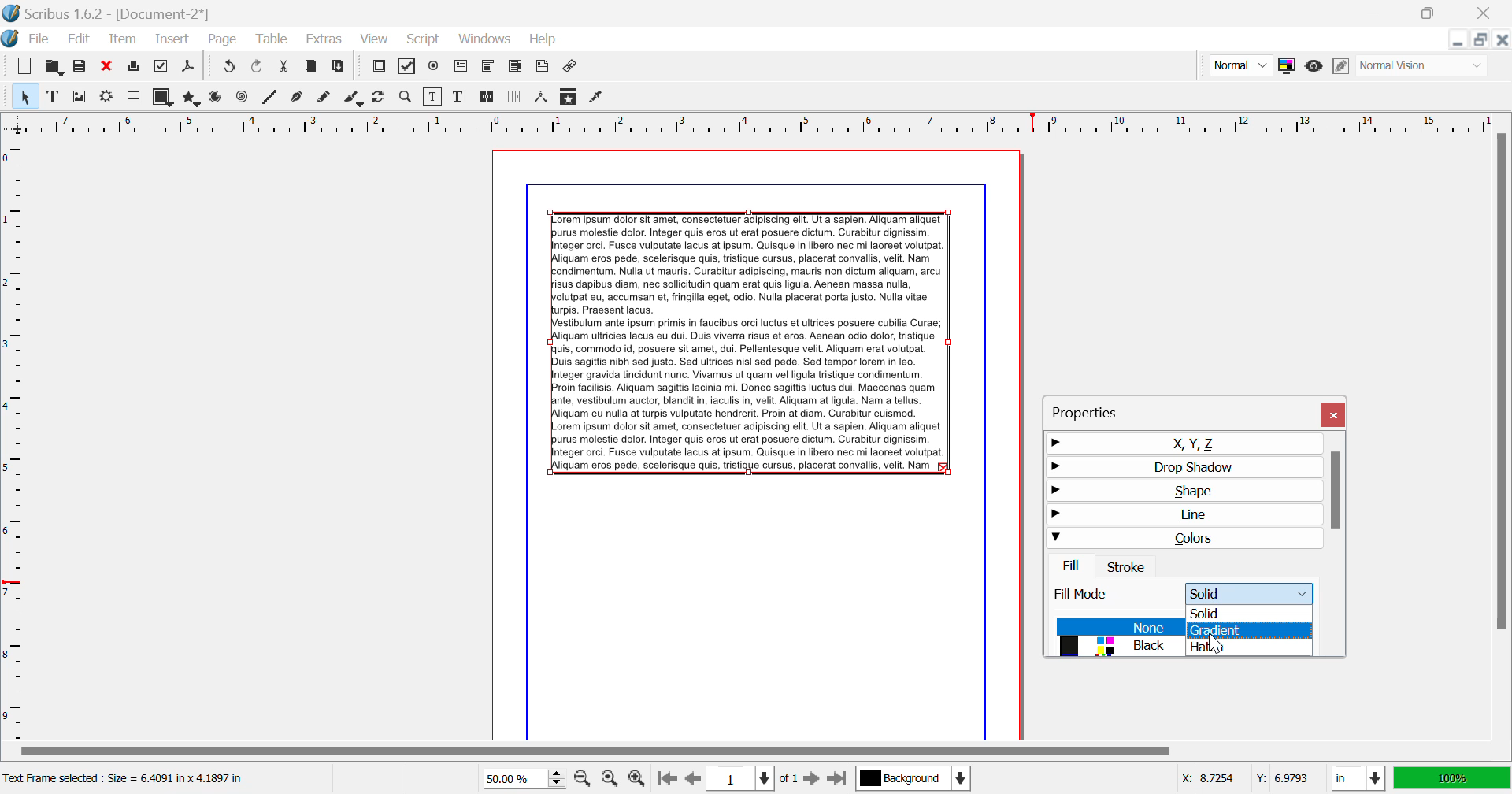 This screenshot has height=794, width=1512. What do you see at coordinates (1180, 518) in the screenshot?
I see `Line` at bounding box center [1180, 518].